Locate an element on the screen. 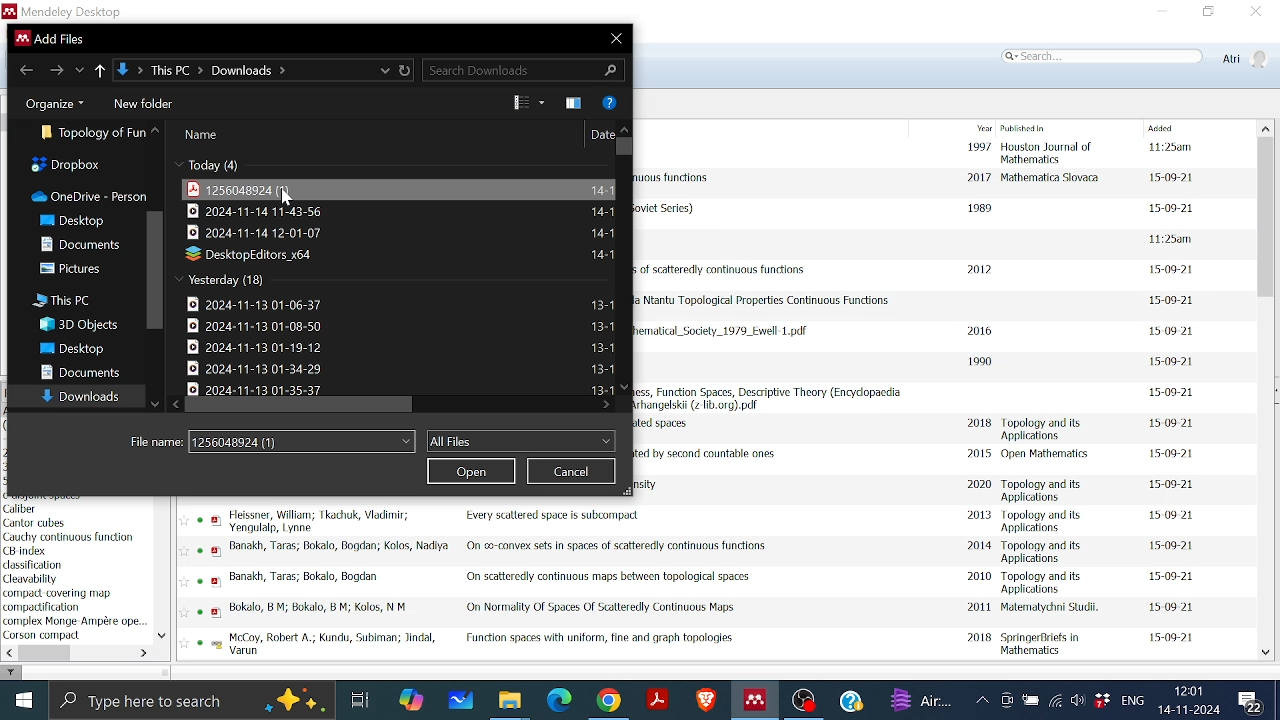 The image size is (1280, 720). read status is located at coordinates (202, 643).